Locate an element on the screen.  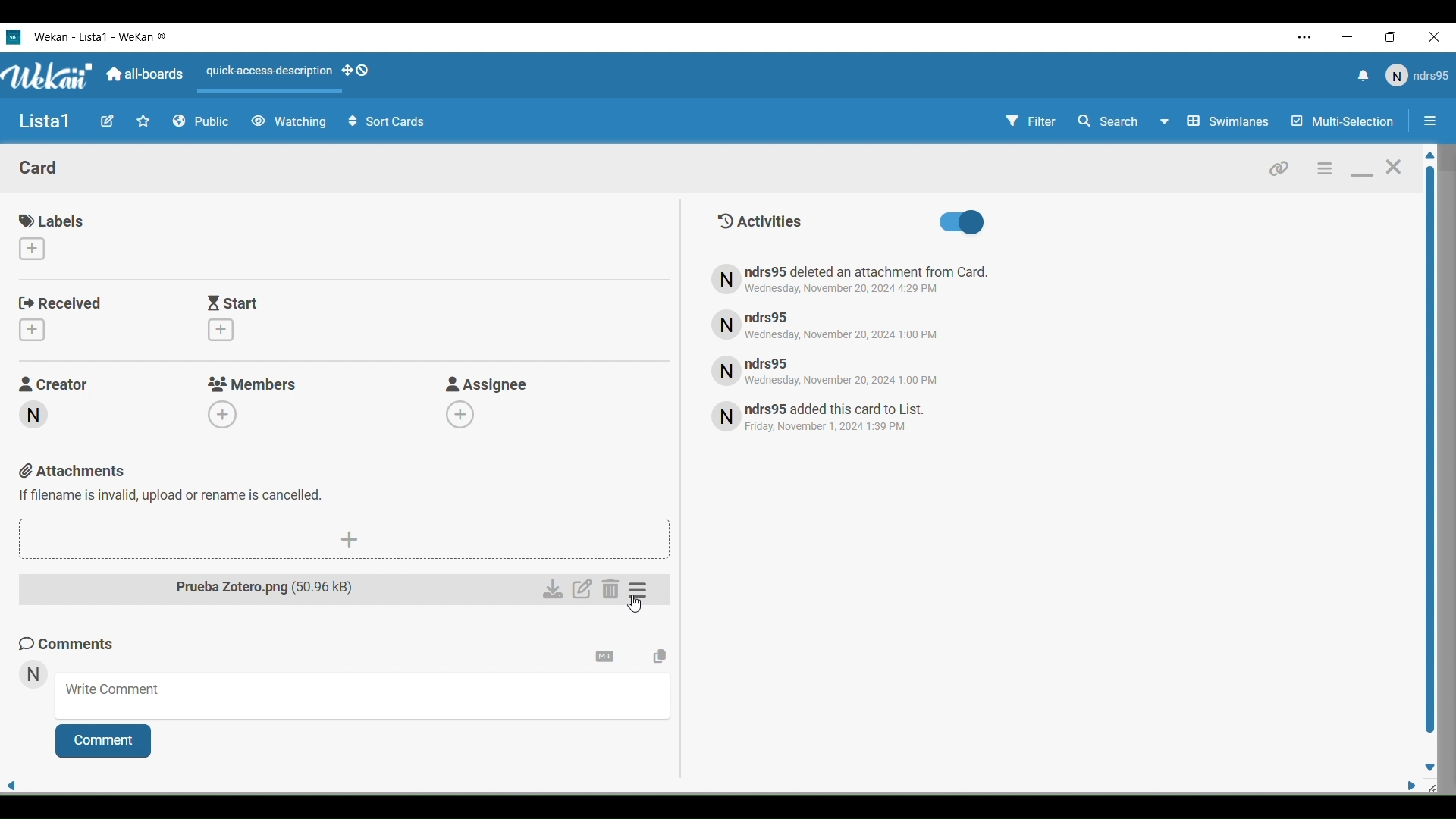
Comments is located at coordinates (71, 642).